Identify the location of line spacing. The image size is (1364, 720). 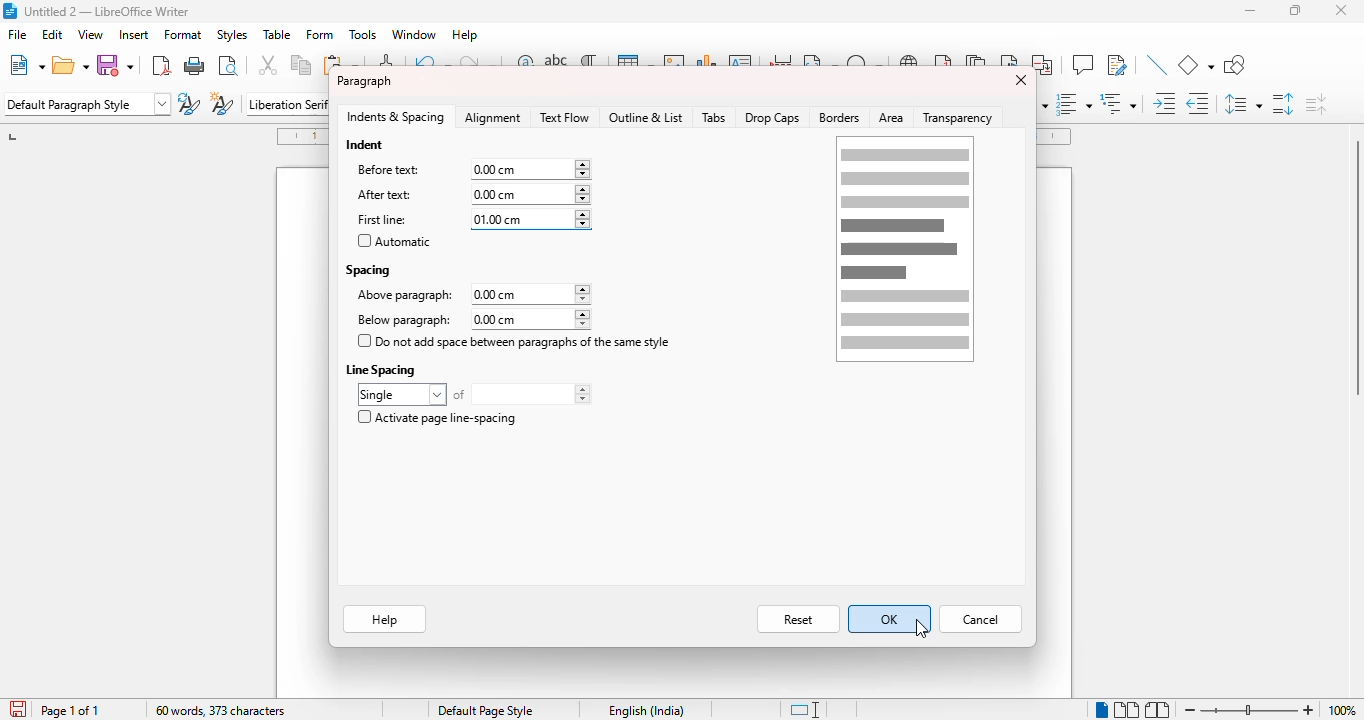
(383, 369).